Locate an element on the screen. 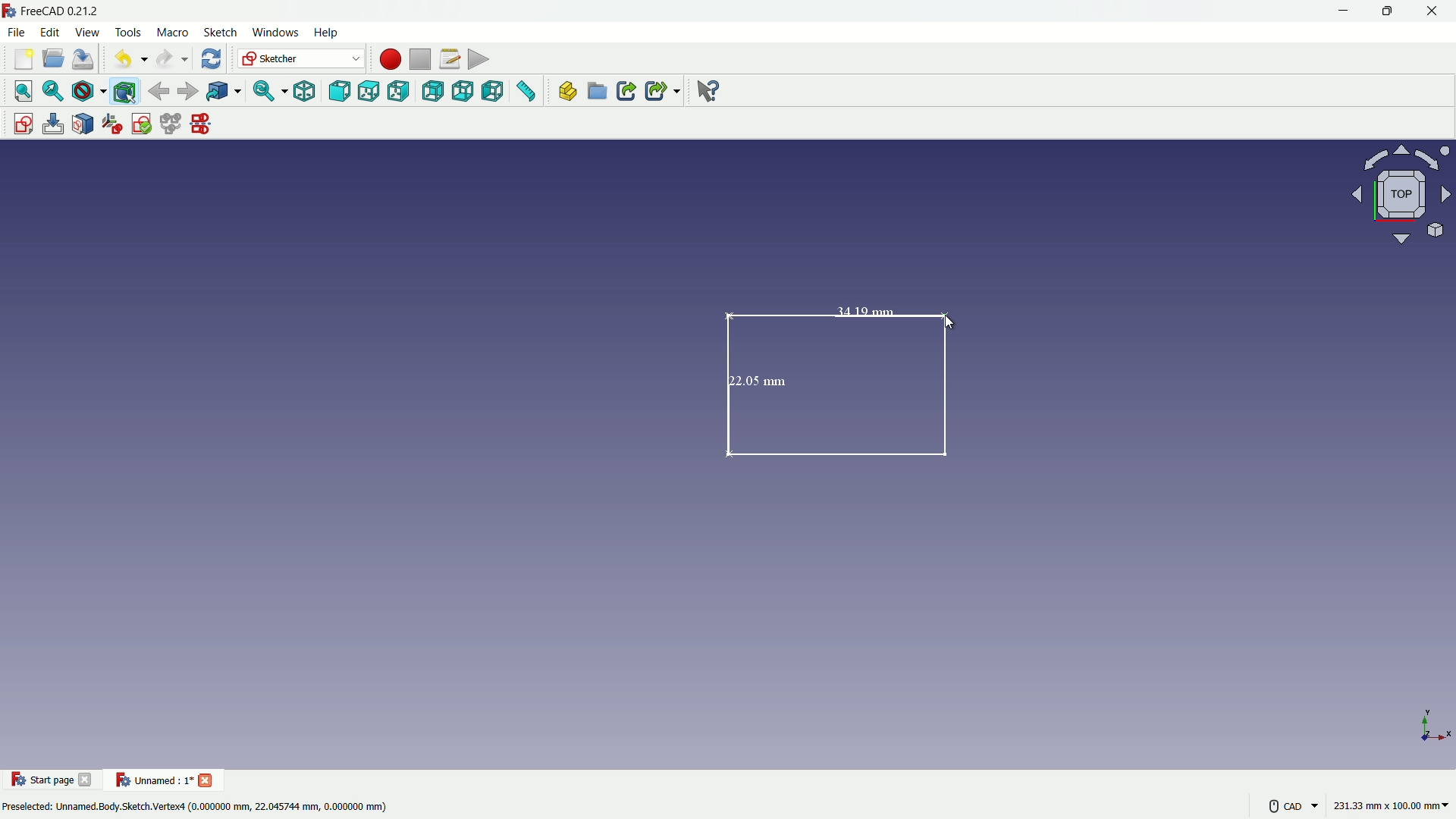 This screenshot has height=819, width=1456. file menu is located at coordinates (18, 33).